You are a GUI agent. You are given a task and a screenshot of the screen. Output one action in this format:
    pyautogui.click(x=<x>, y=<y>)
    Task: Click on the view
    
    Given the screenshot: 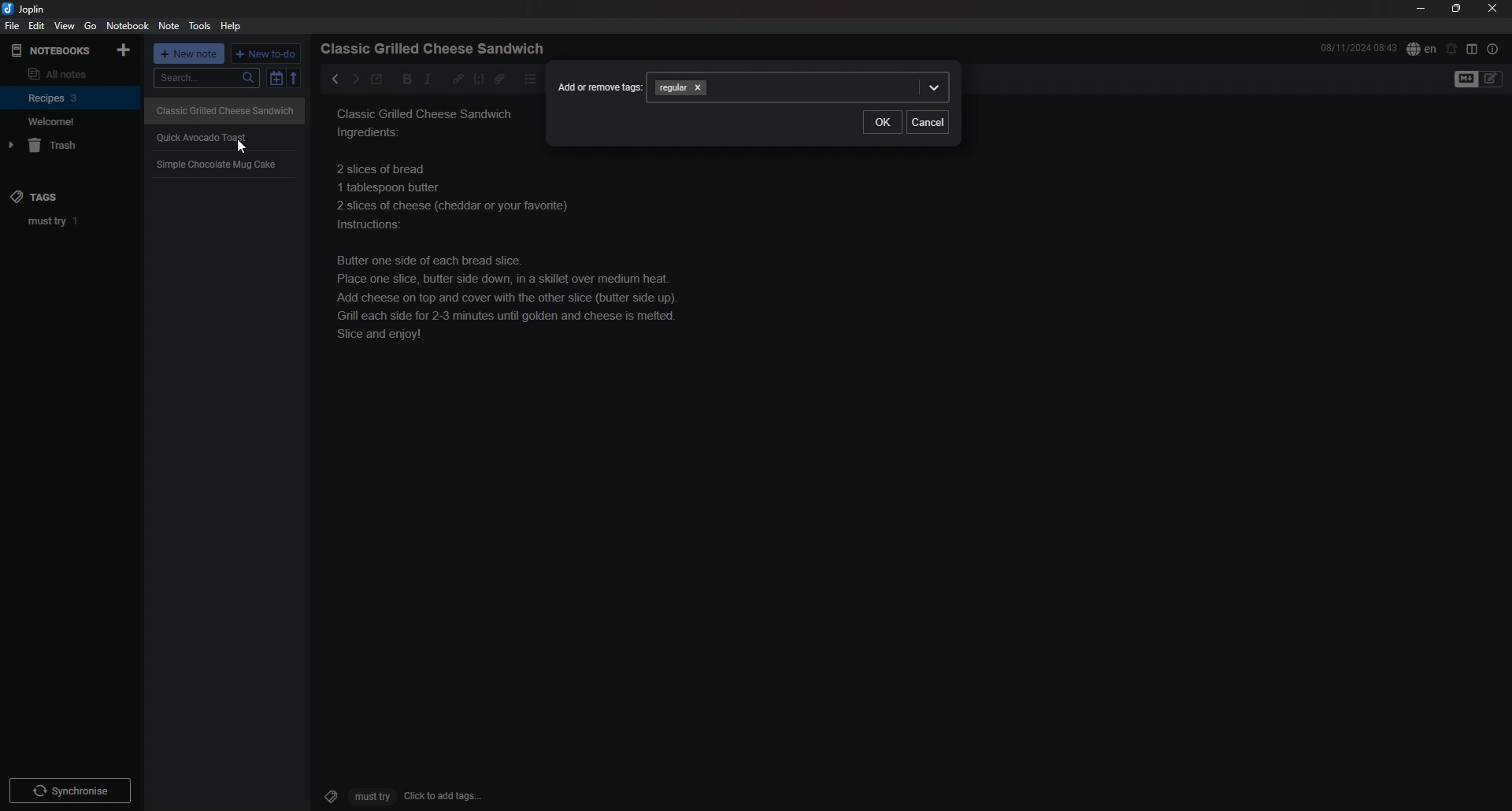 What is the action you would take?
    pyautogui.click(x=64, y=26)
    